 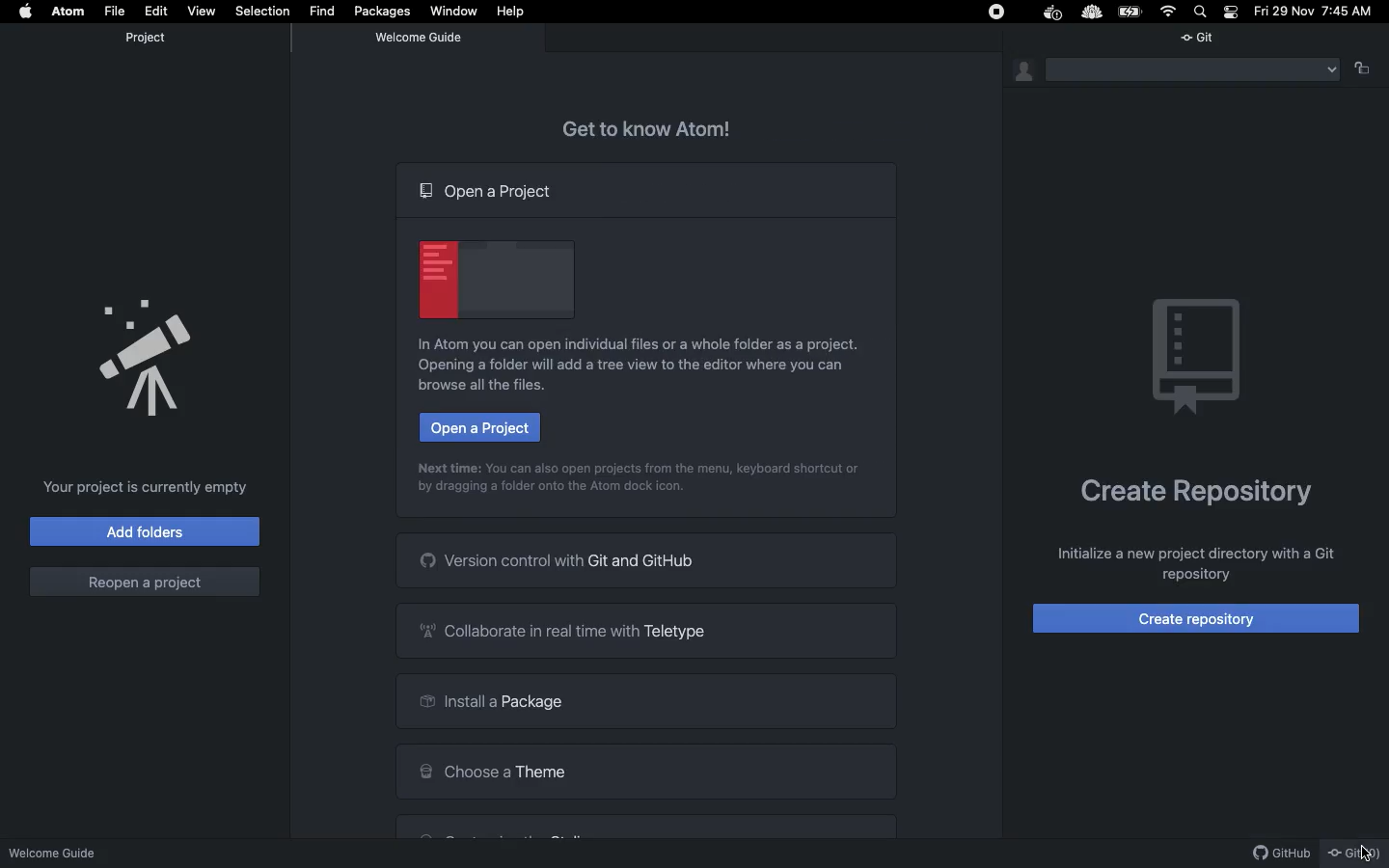 What do you see at coordinates (1169, 12) in the screenshot?
I see `Internet` at bounding box center [1169, 12].